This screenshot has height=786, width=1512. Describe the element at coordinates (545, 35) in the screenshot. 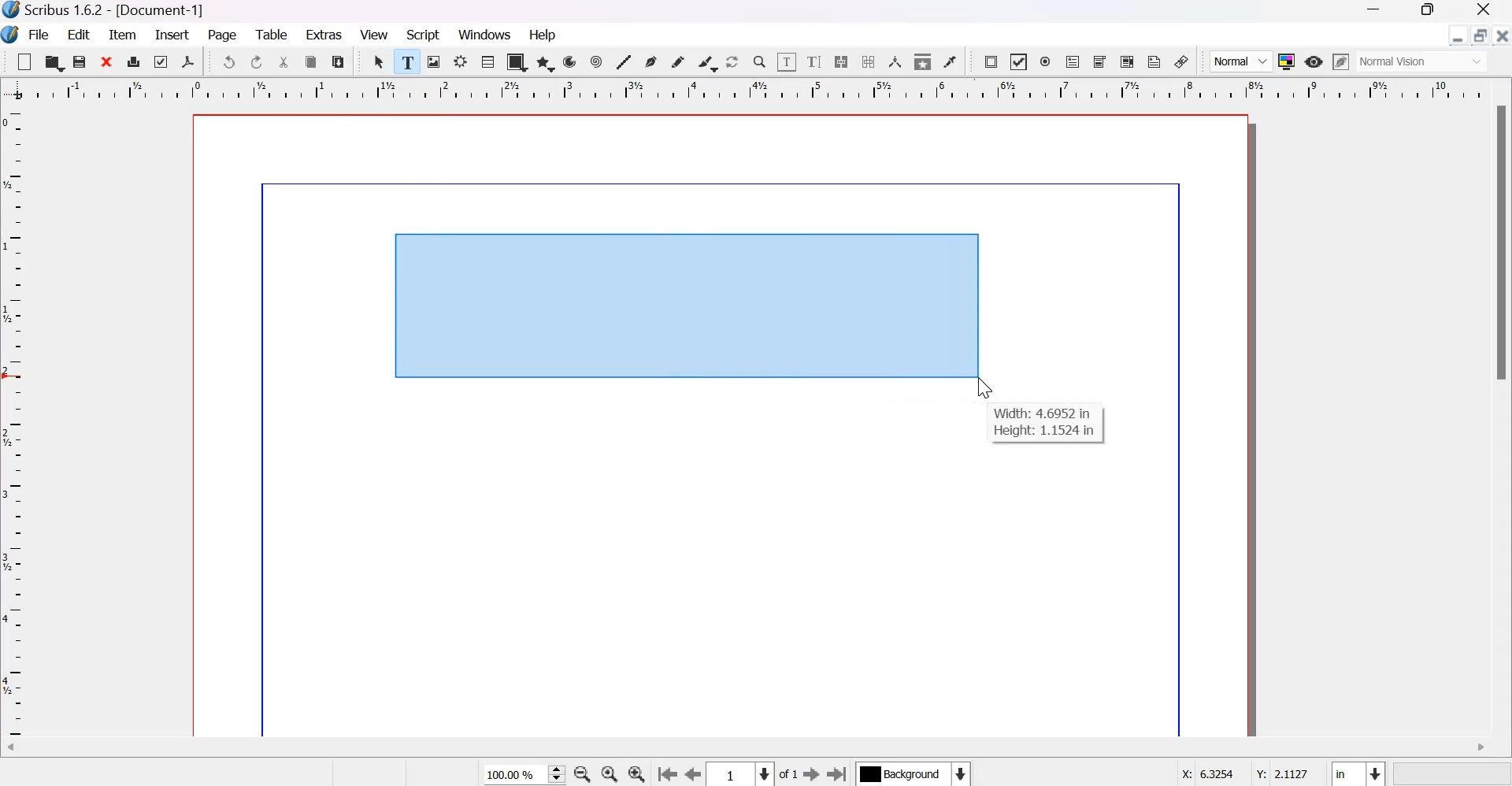

I see `Help` at that location.